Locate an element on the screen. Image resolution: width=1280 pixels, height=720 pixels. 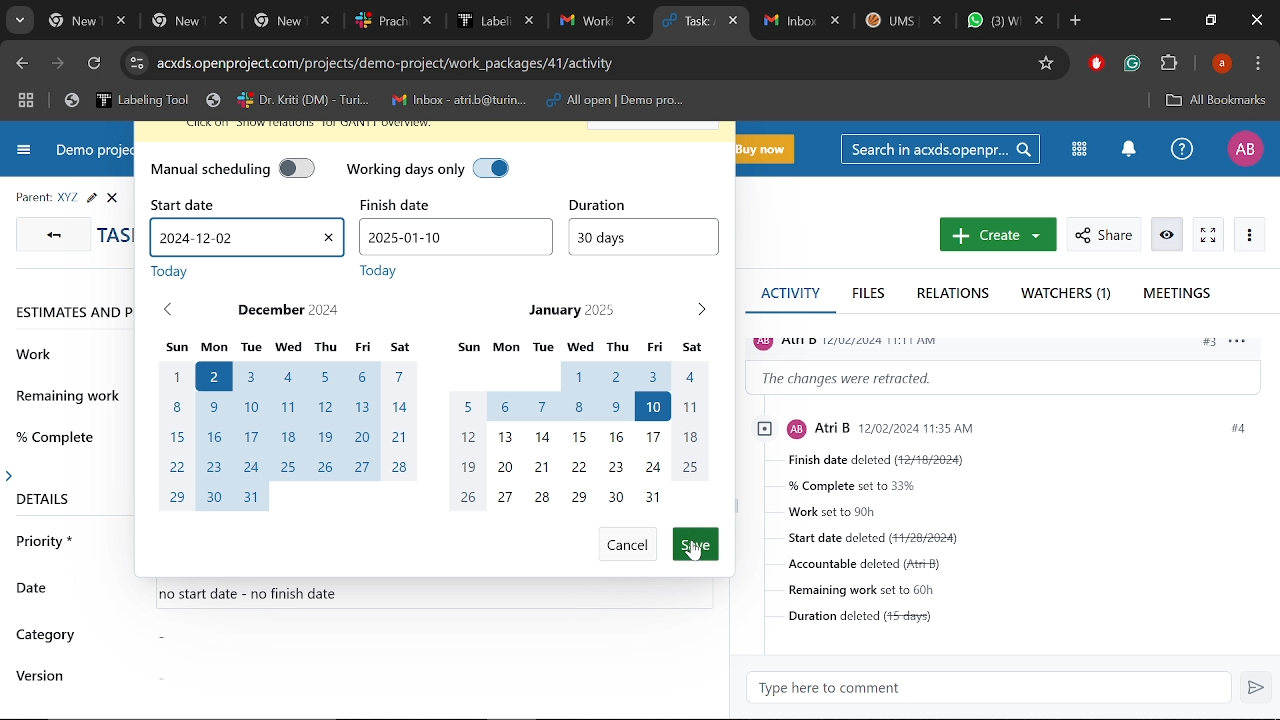
remaining work is located at coordinates (71, 400).